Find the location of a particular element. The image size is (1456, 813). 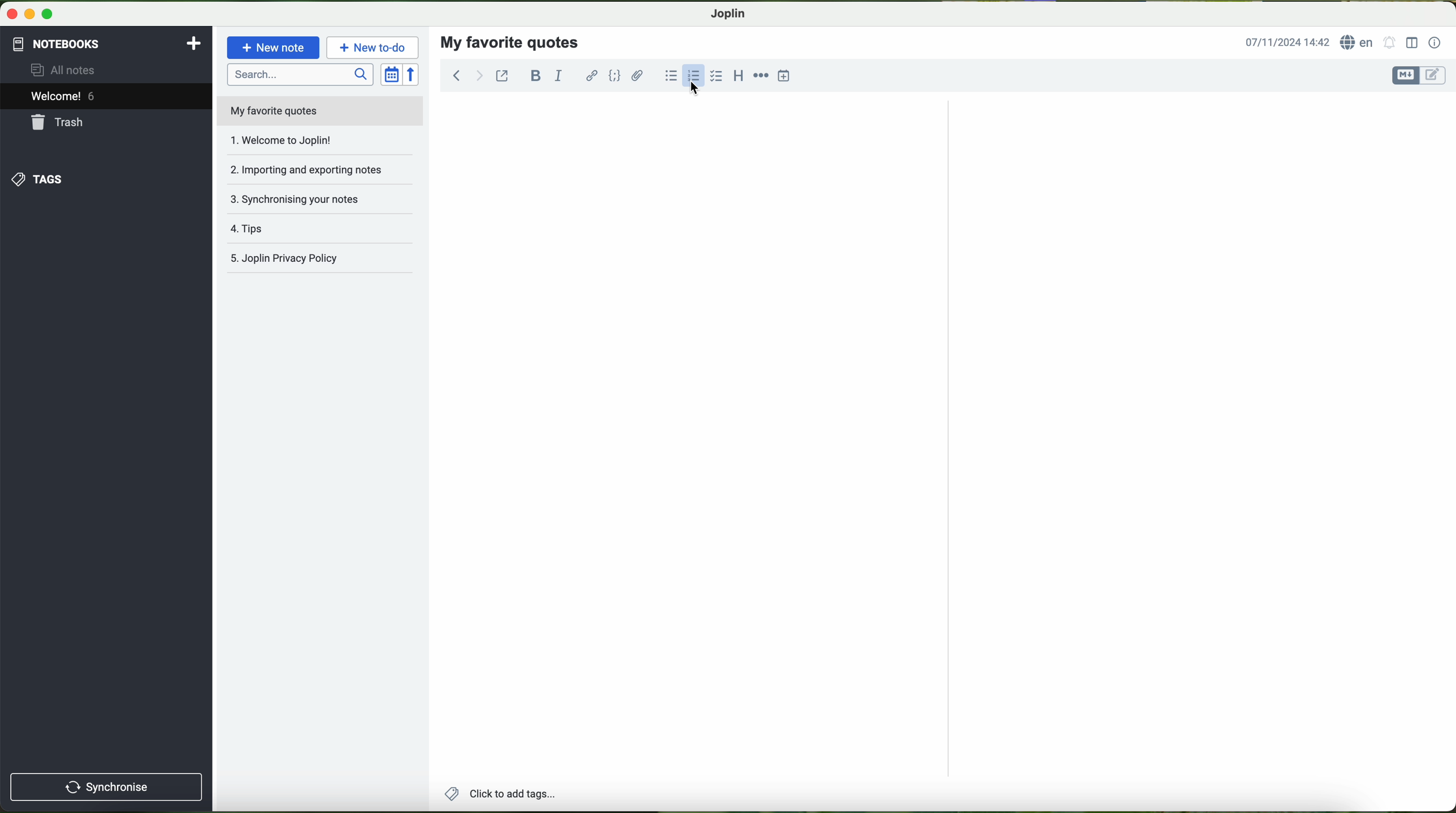

tags is located at coordinates (318, 228).